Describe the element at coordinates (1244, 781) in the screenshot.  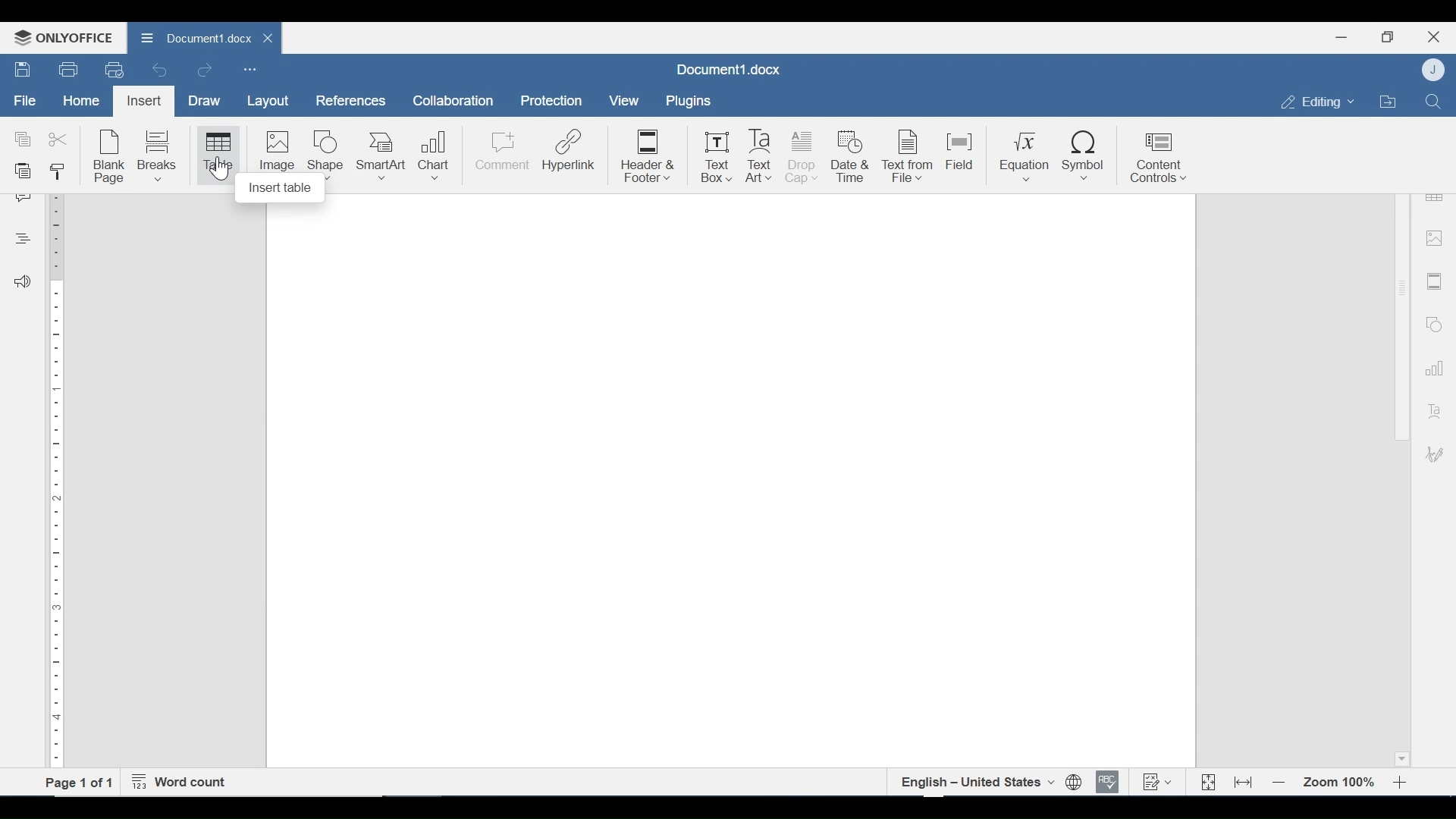
I see `Fit to Width` at that location.